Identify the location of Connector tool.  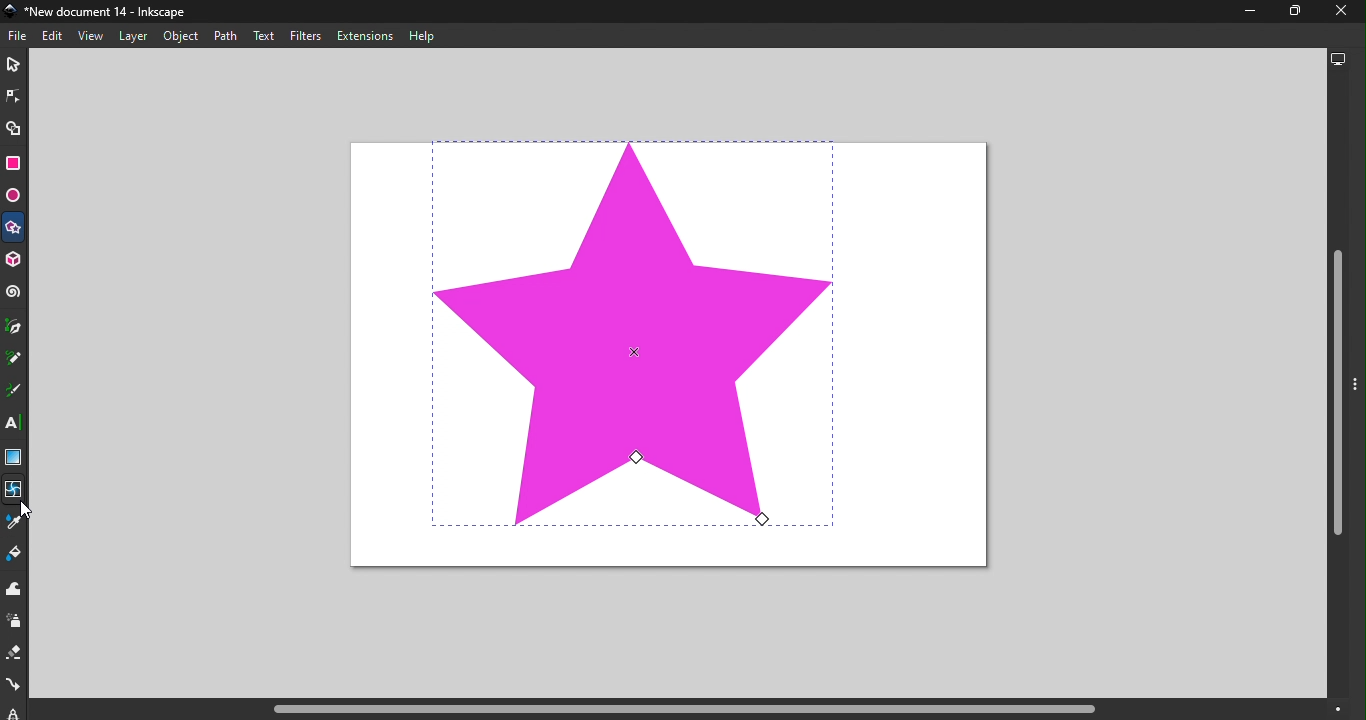
(15, 687).